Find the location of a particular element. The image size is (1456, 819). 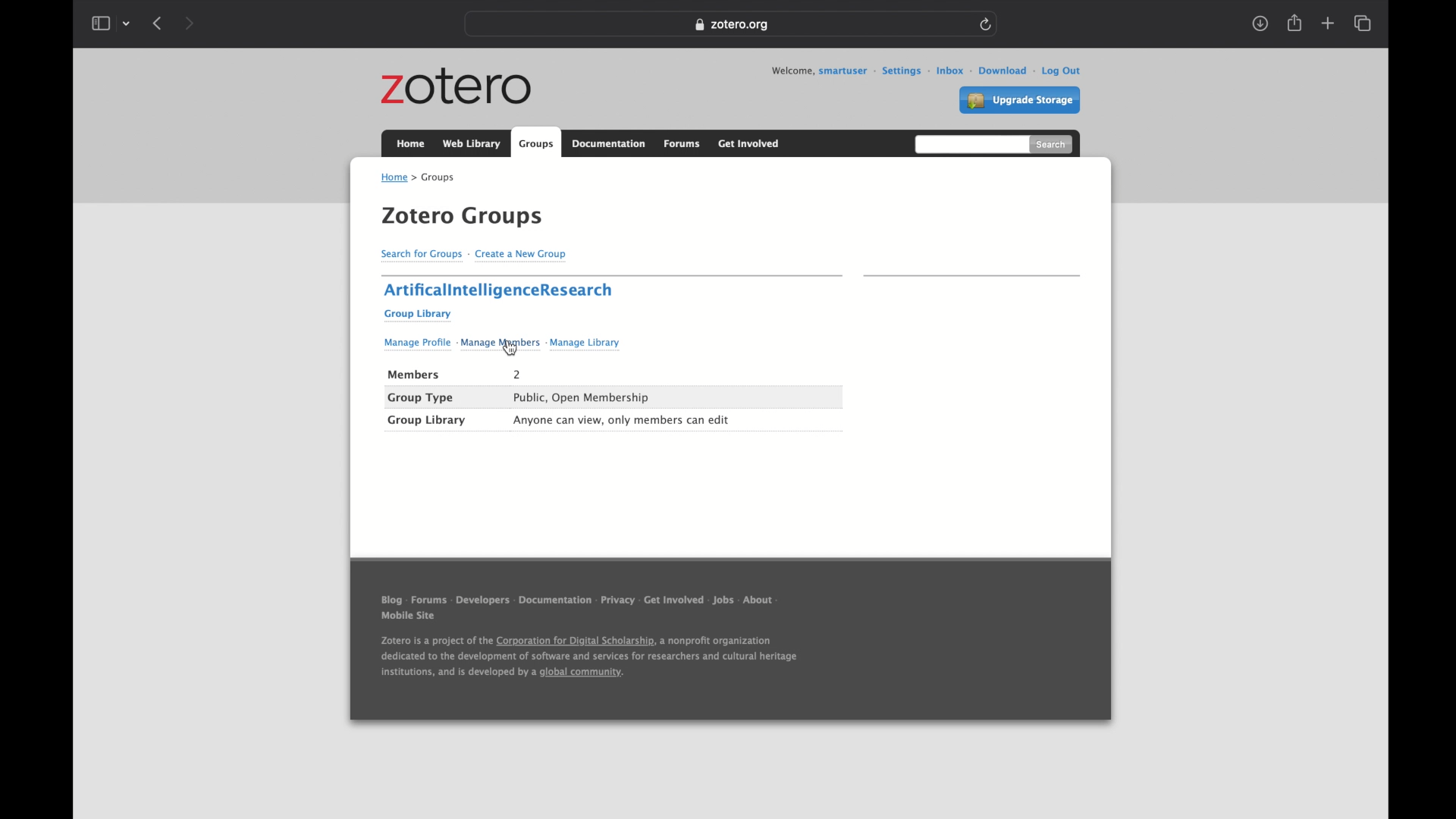

public, open membership is located at coordinates (582, 397).